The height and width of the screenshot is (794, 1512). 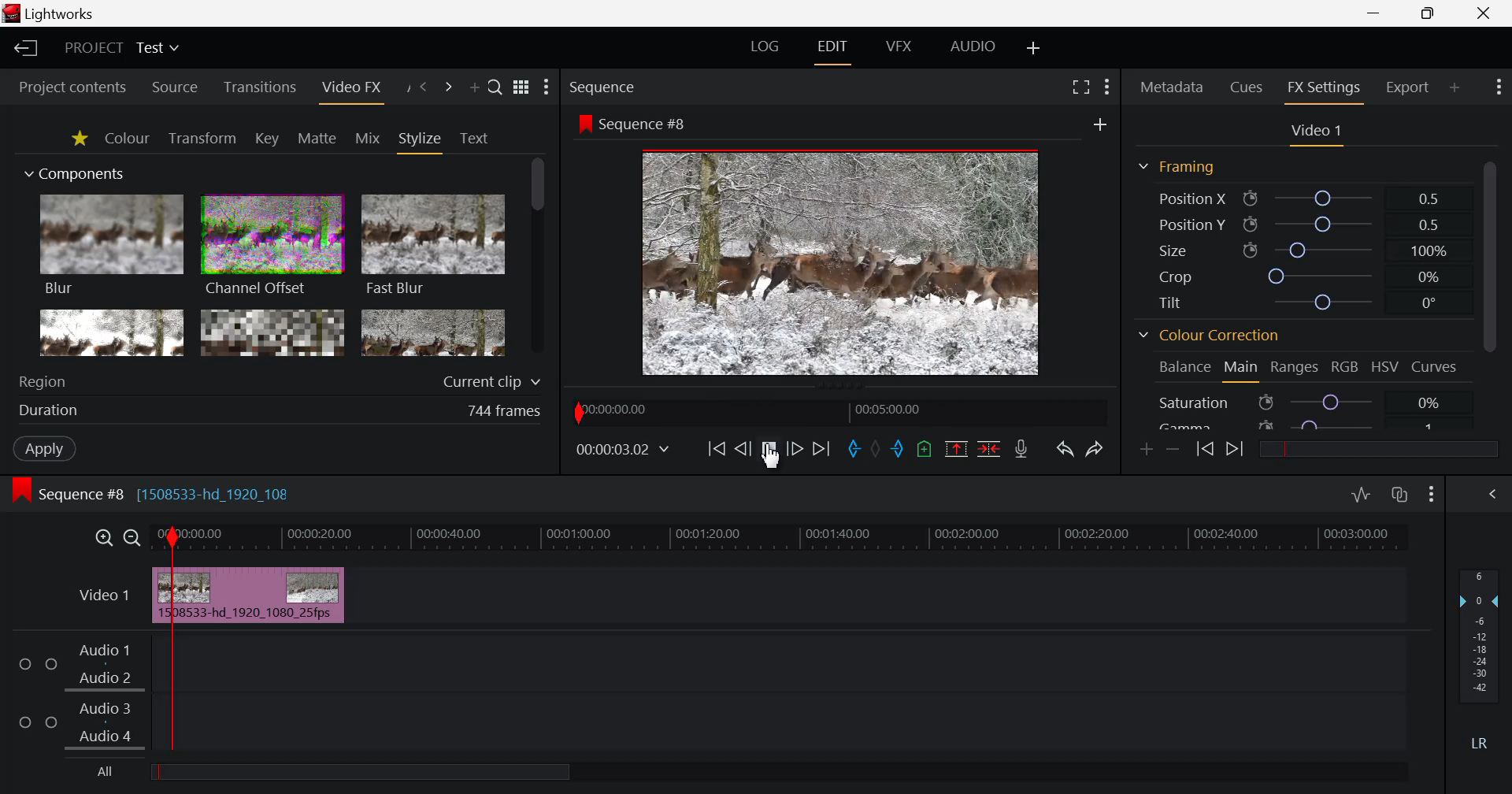 What do you see at coordinates (1388, 368) in the screenshot?
I see `HSV` at bounding box center [1388, 368].